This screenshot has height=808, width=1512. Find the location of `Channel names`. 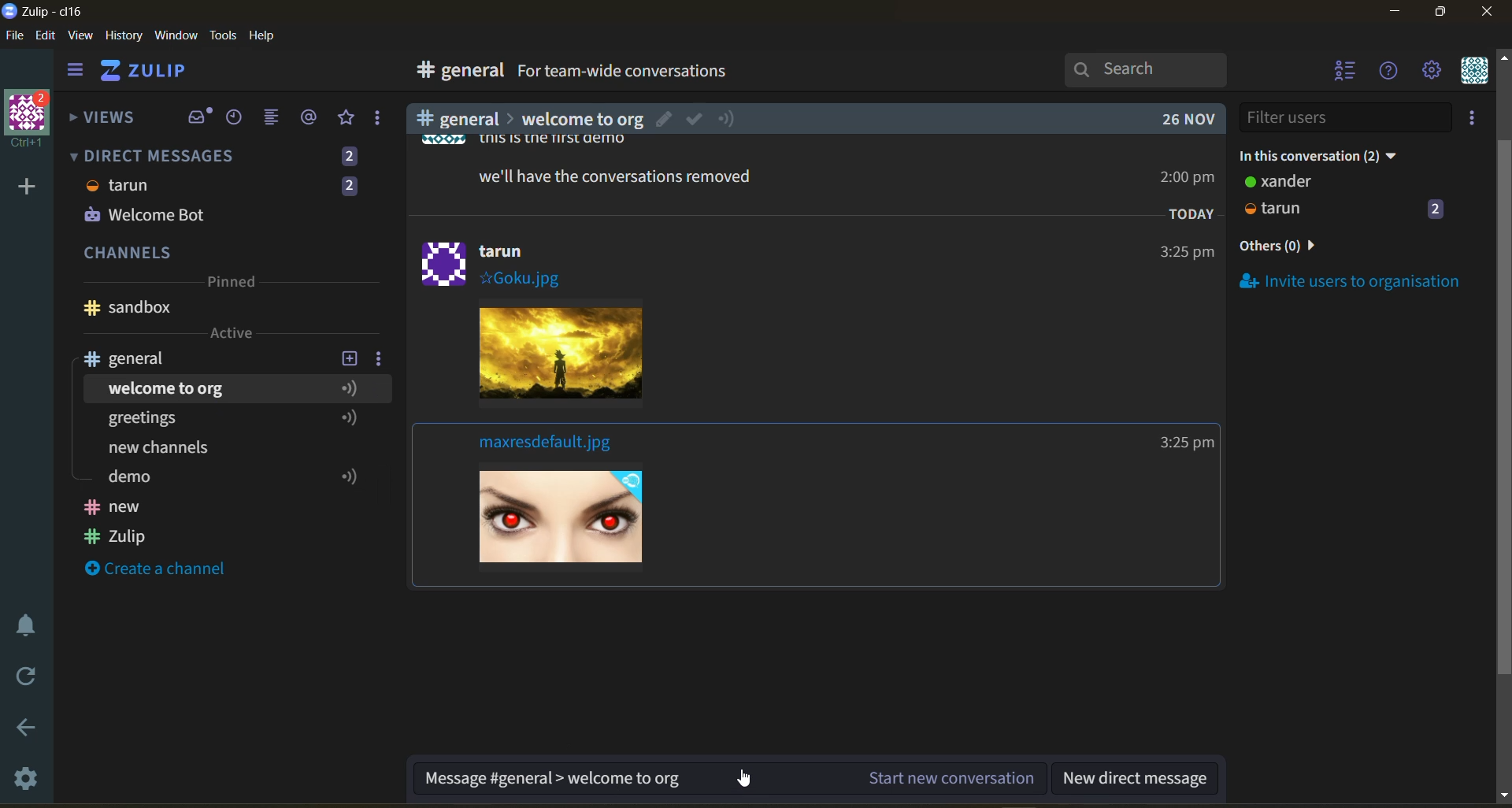

Channel names is located at coordinates (118, 524).